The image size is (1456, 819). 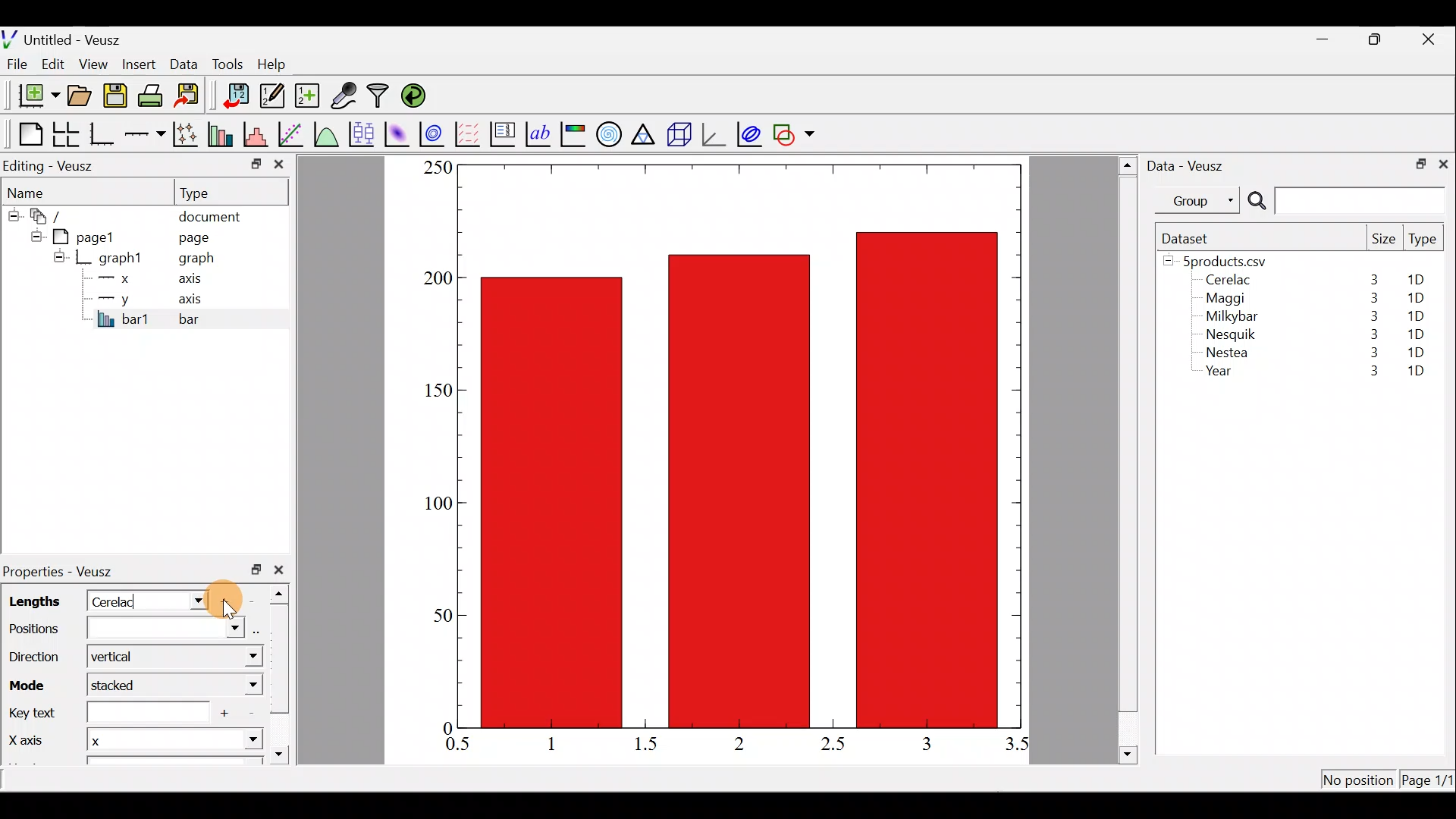 I want to click on Insert, so click(x=141, y=64).